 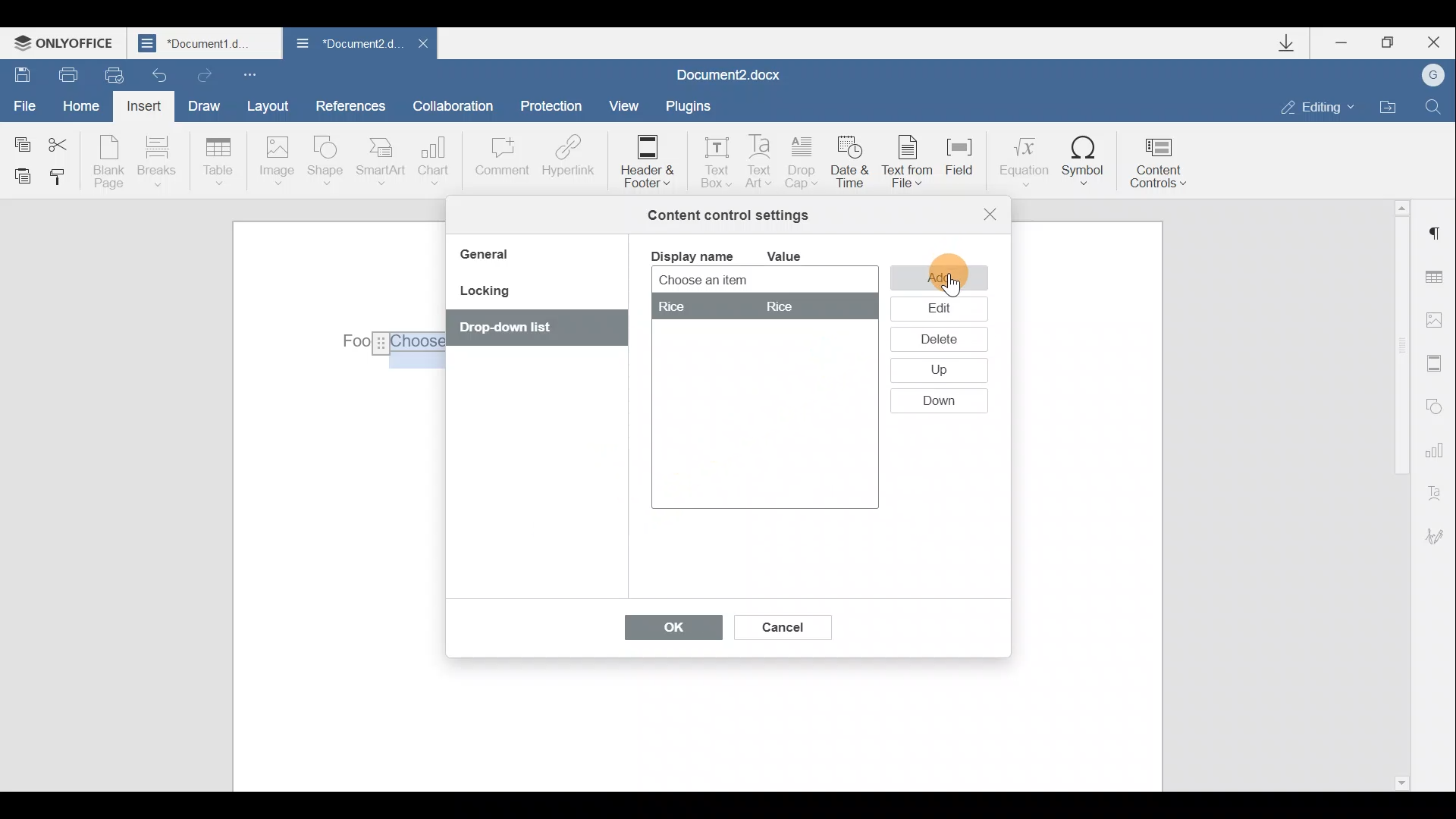 What do you see at coordinates (646, 160) in the screenshot?
I see `Header & footer` at bounding box center [646, 160].